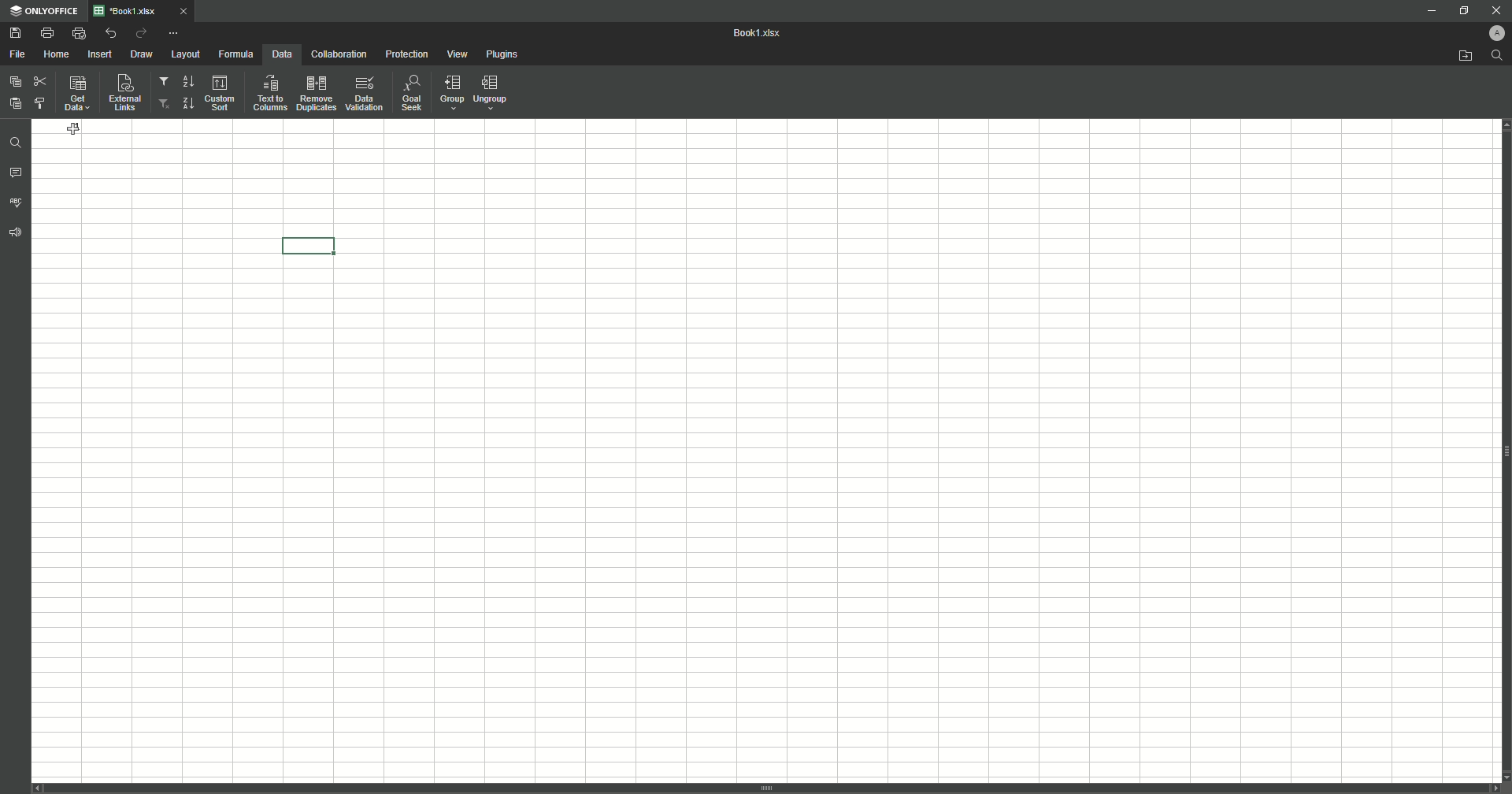 This screenshot has height=794, width=1512. I want to click on Draw, so click(143, 55).